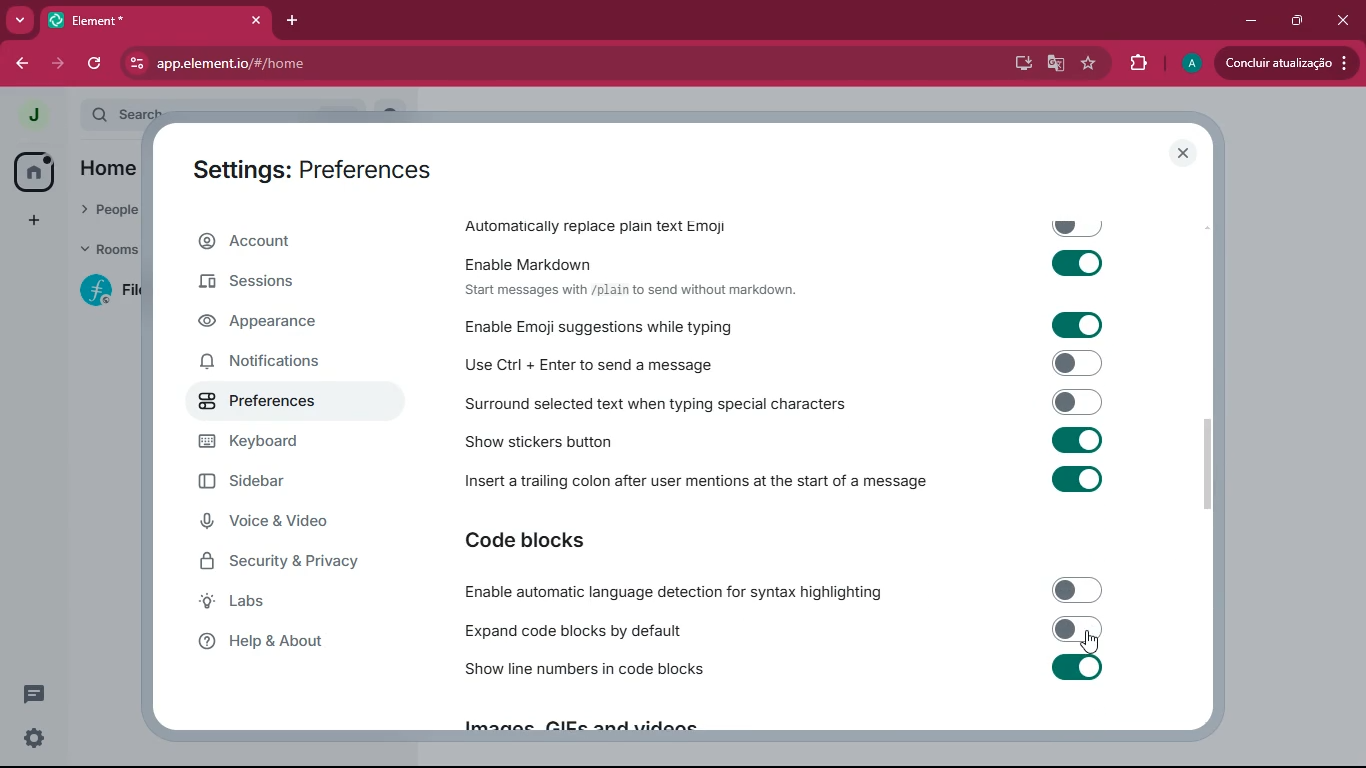 The image size is (1366, 768). I want to click on Enable Markdown, so click(789, 261).